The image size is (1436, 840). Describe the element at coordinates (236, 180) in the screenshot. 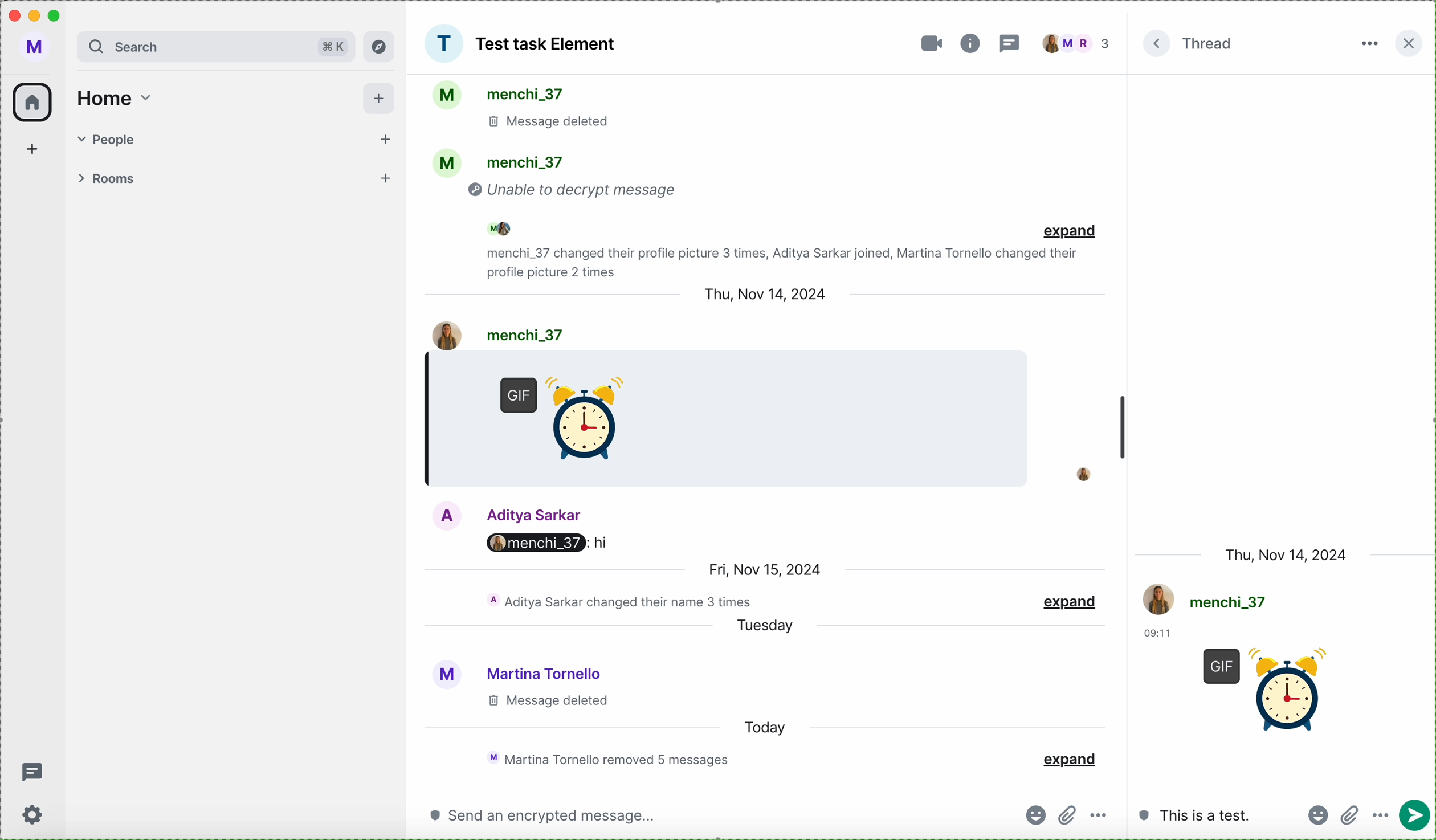

I see `rooms` at that location.